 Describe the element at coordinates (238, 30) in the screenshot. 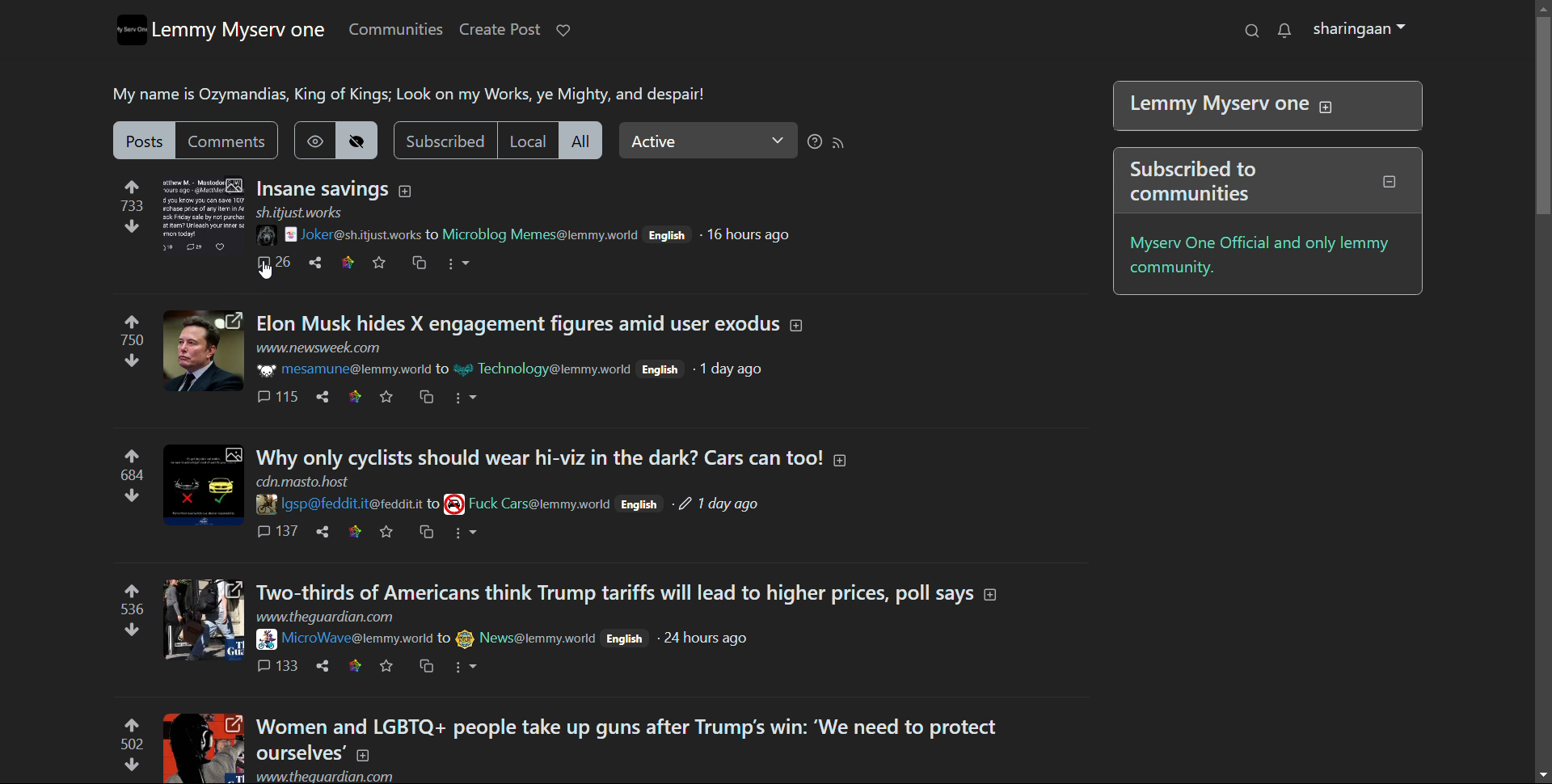

I see `community title` at that location.